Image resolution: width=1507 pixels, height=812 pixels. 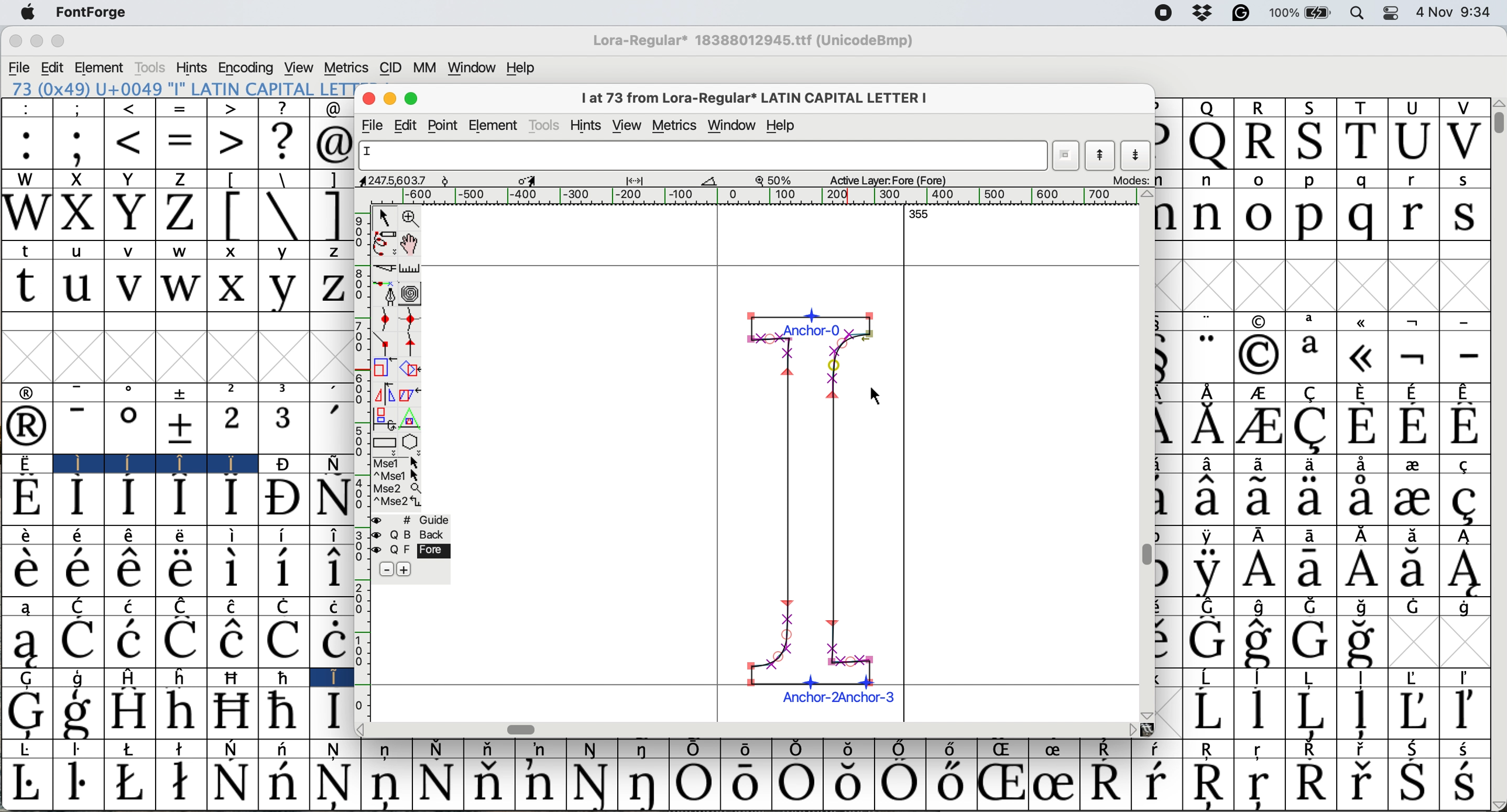 I want to click on Symbol, so click(x=180, y=712).